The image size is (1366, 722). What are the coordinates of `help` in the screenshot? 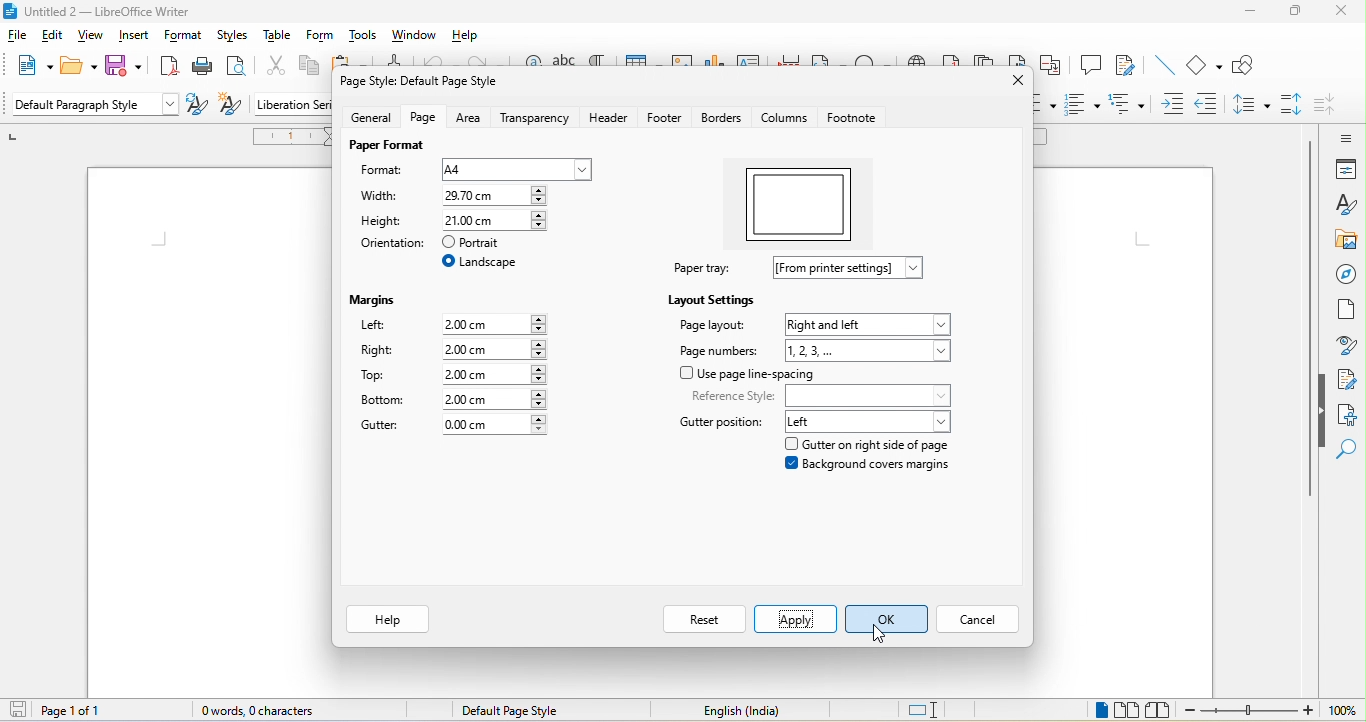 It's located at (470, 36).